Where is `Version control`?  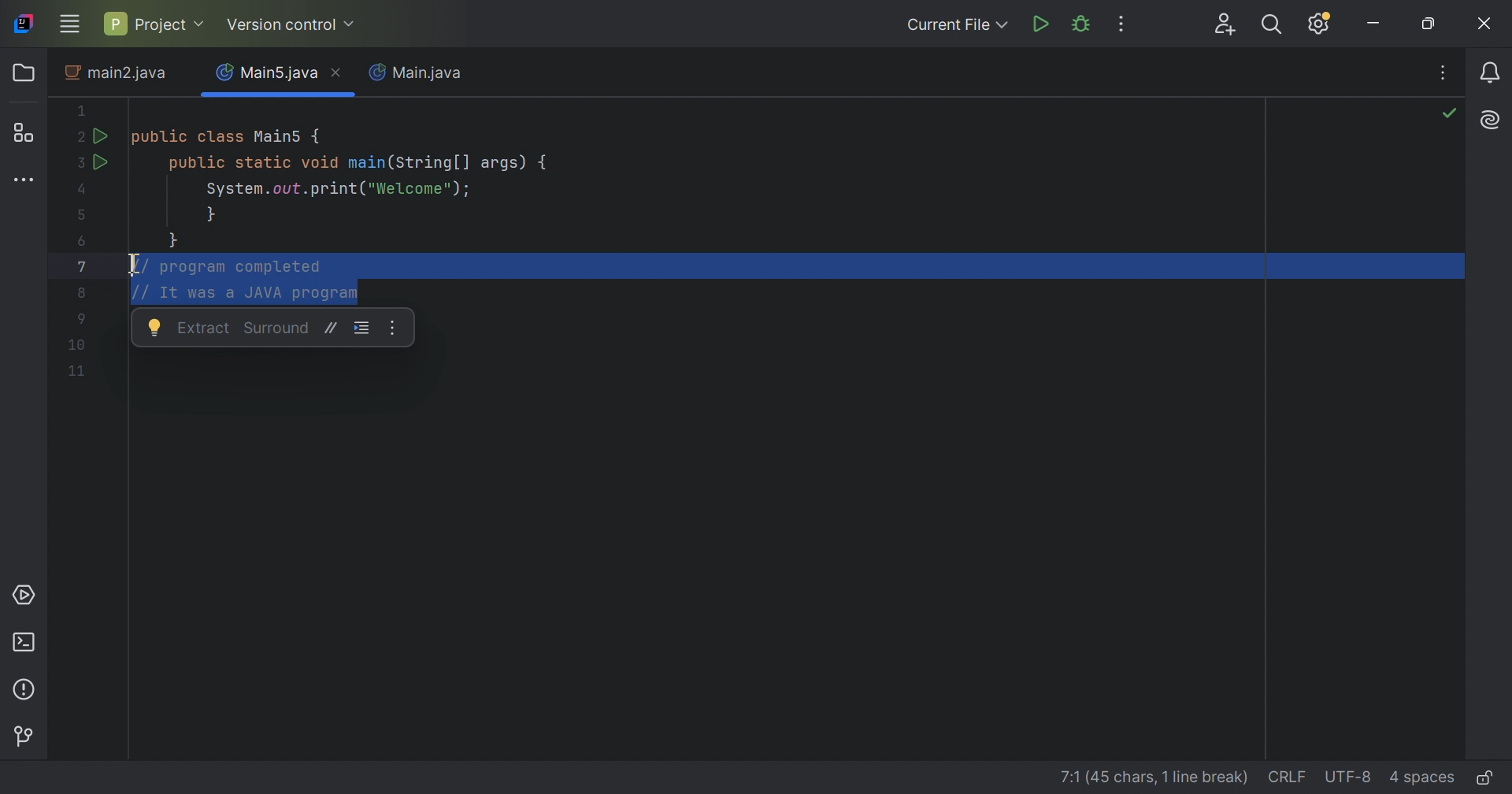 Version control is located at coordinates (24, 734).